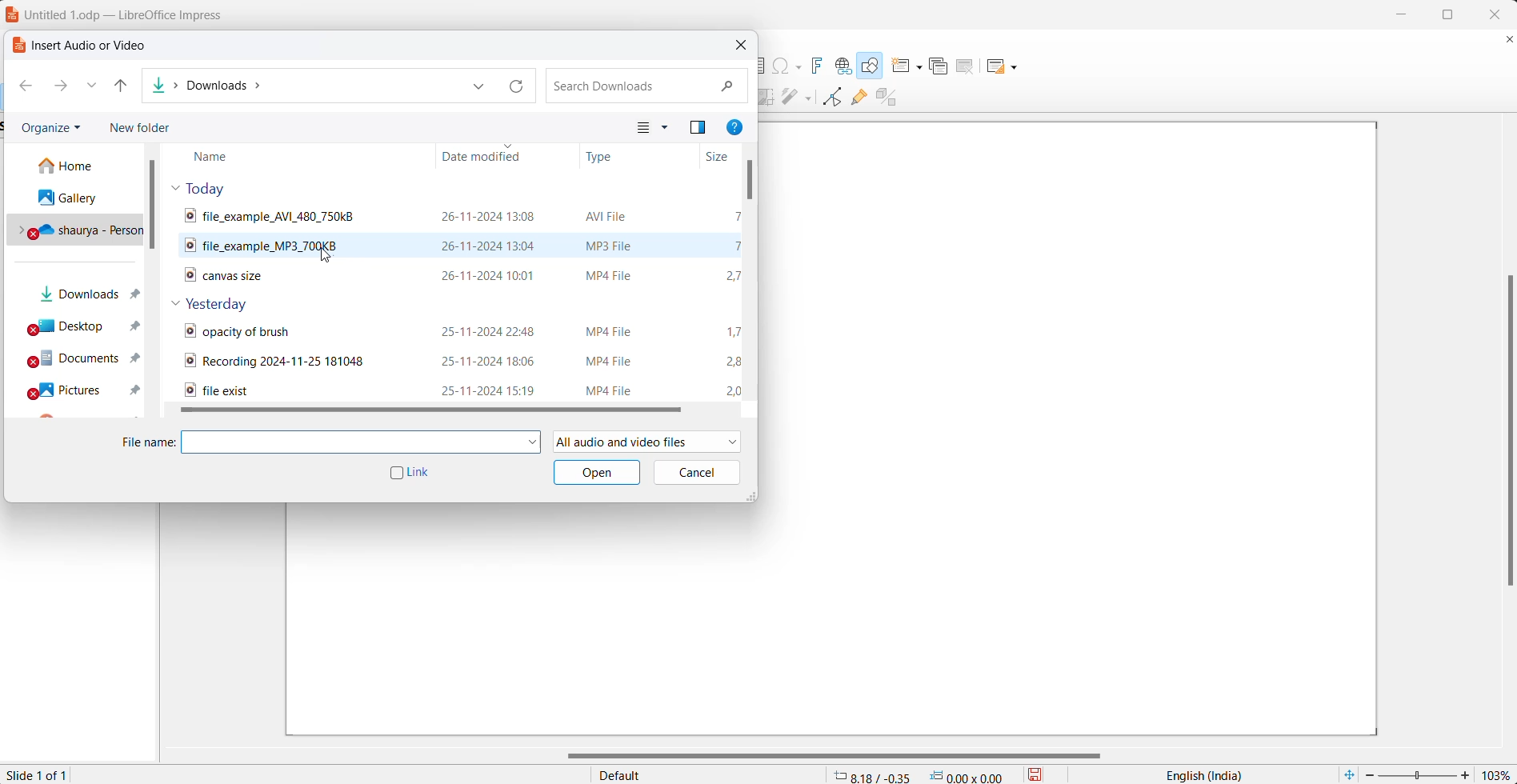 The height and width of the screenshot is (784, 1517). Describe the element at coordinates (308, 361) in the screenshot. I see `video files name` at that location.